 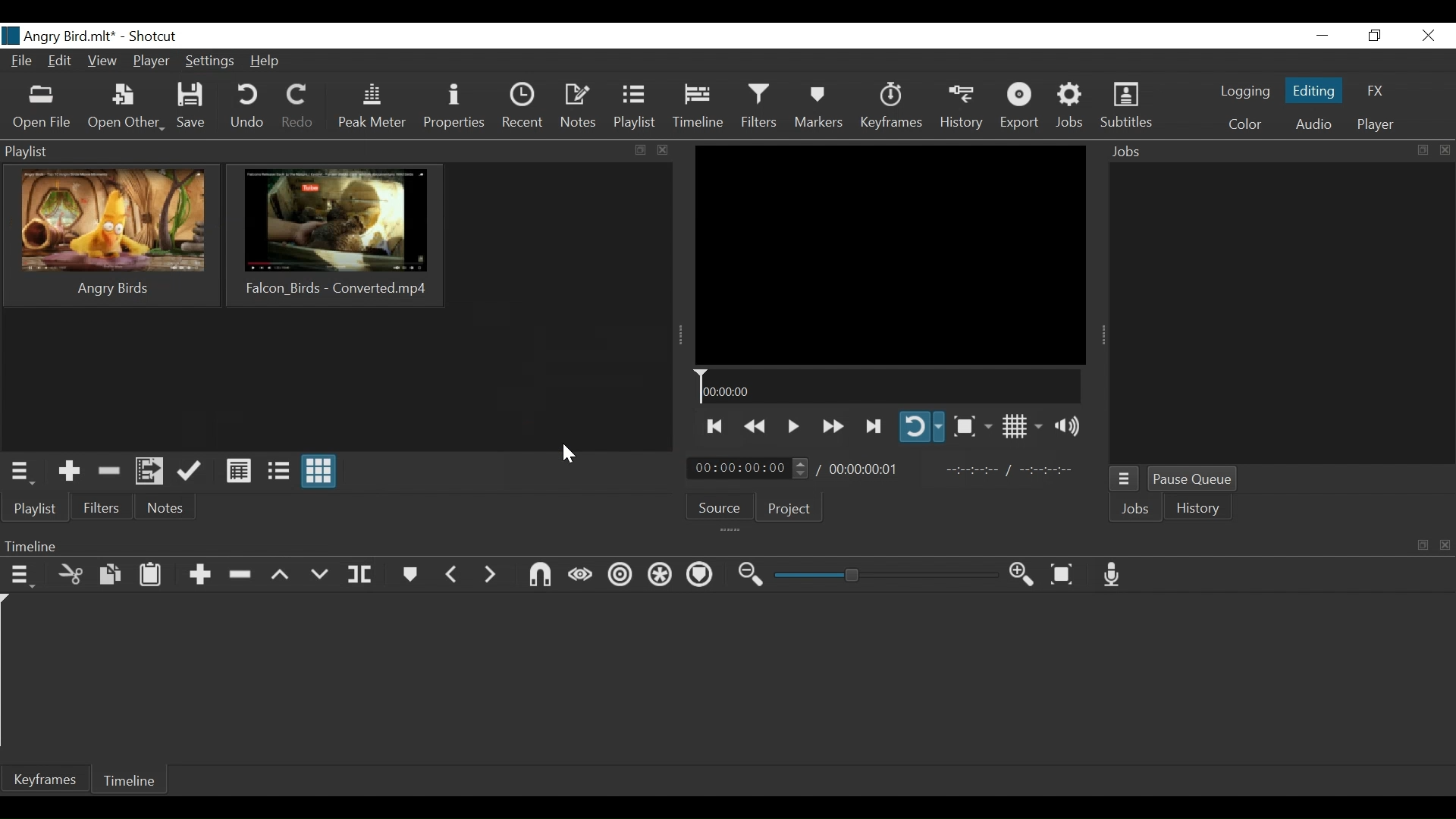 I want to click on Zoom Slider, so click(x=885, y=575).